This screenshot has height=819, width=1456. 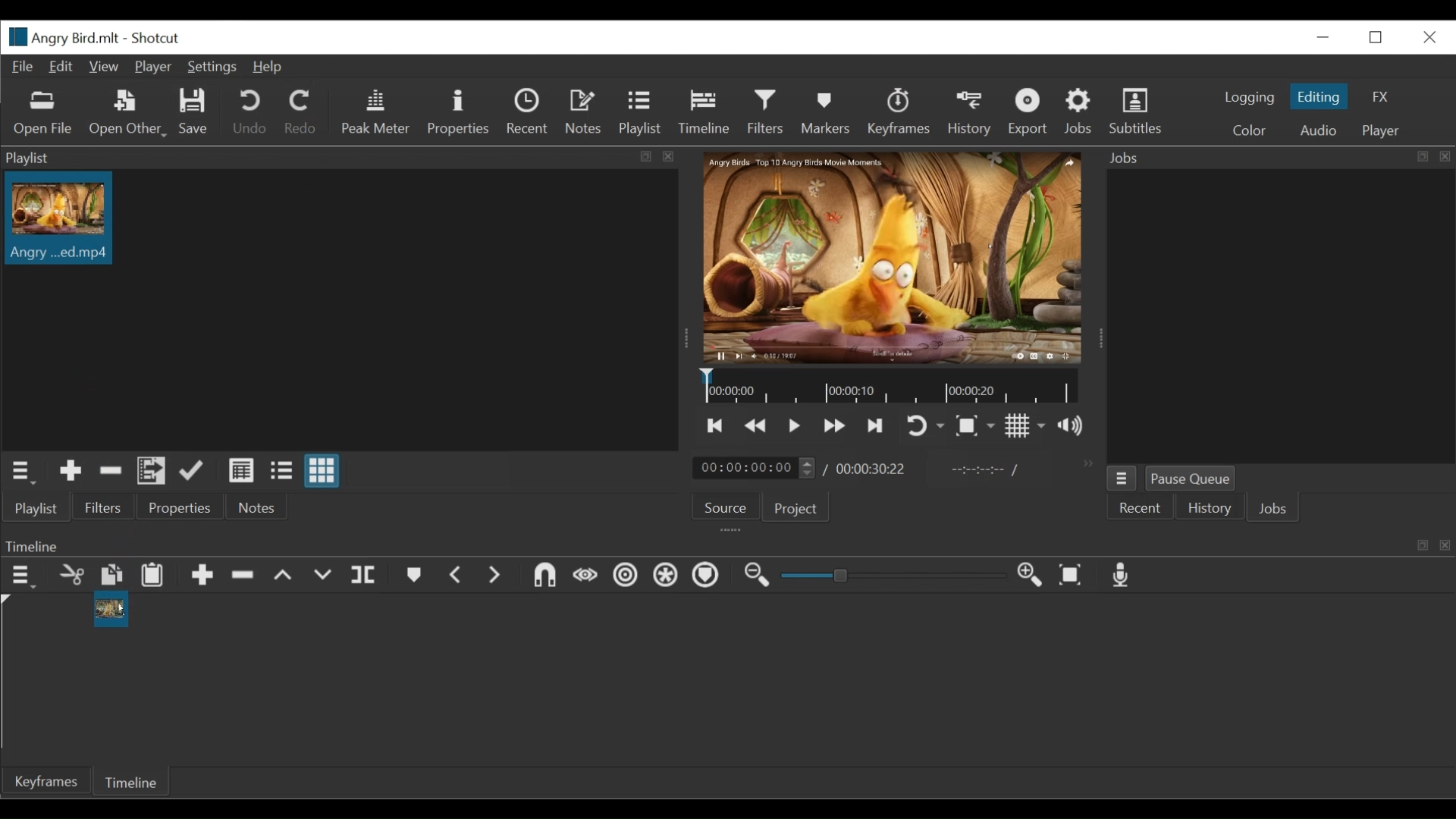 What do you see at coordinates (1378, 96) in the screenshot?
I see `FX` at bounding box center [1378, 96].